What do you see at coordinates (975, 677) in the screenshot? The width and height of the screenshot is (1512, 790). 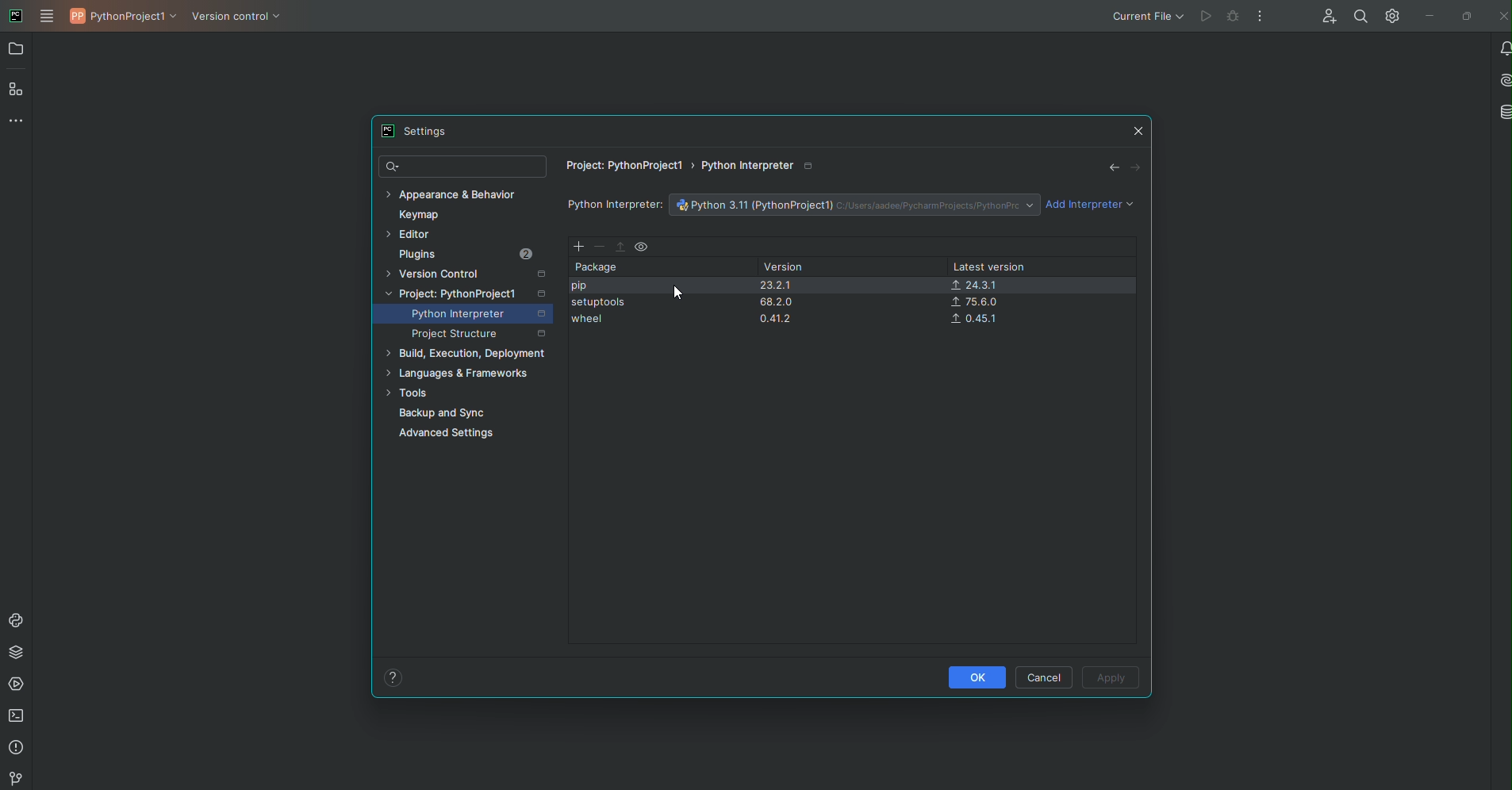 I see `OK` at bounding box center [975, 677].